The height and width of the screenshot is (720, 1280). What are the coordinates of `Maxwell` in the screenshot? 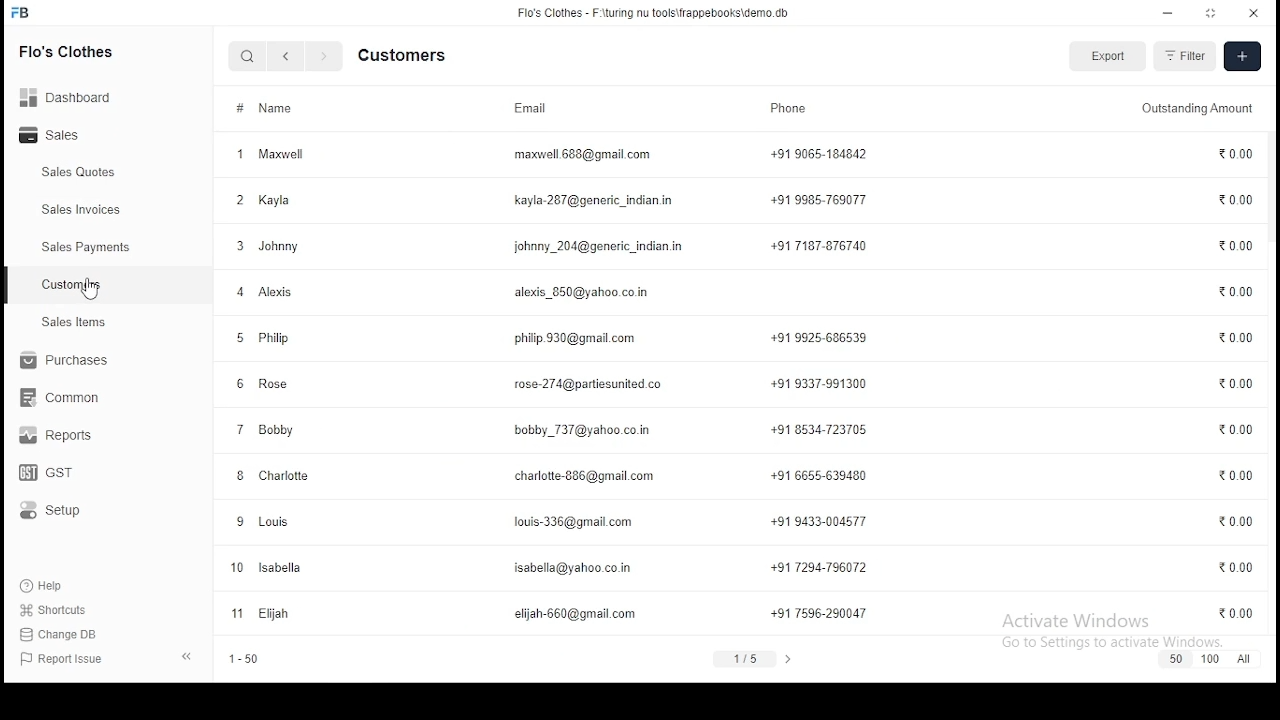 It's located at (282, 155).